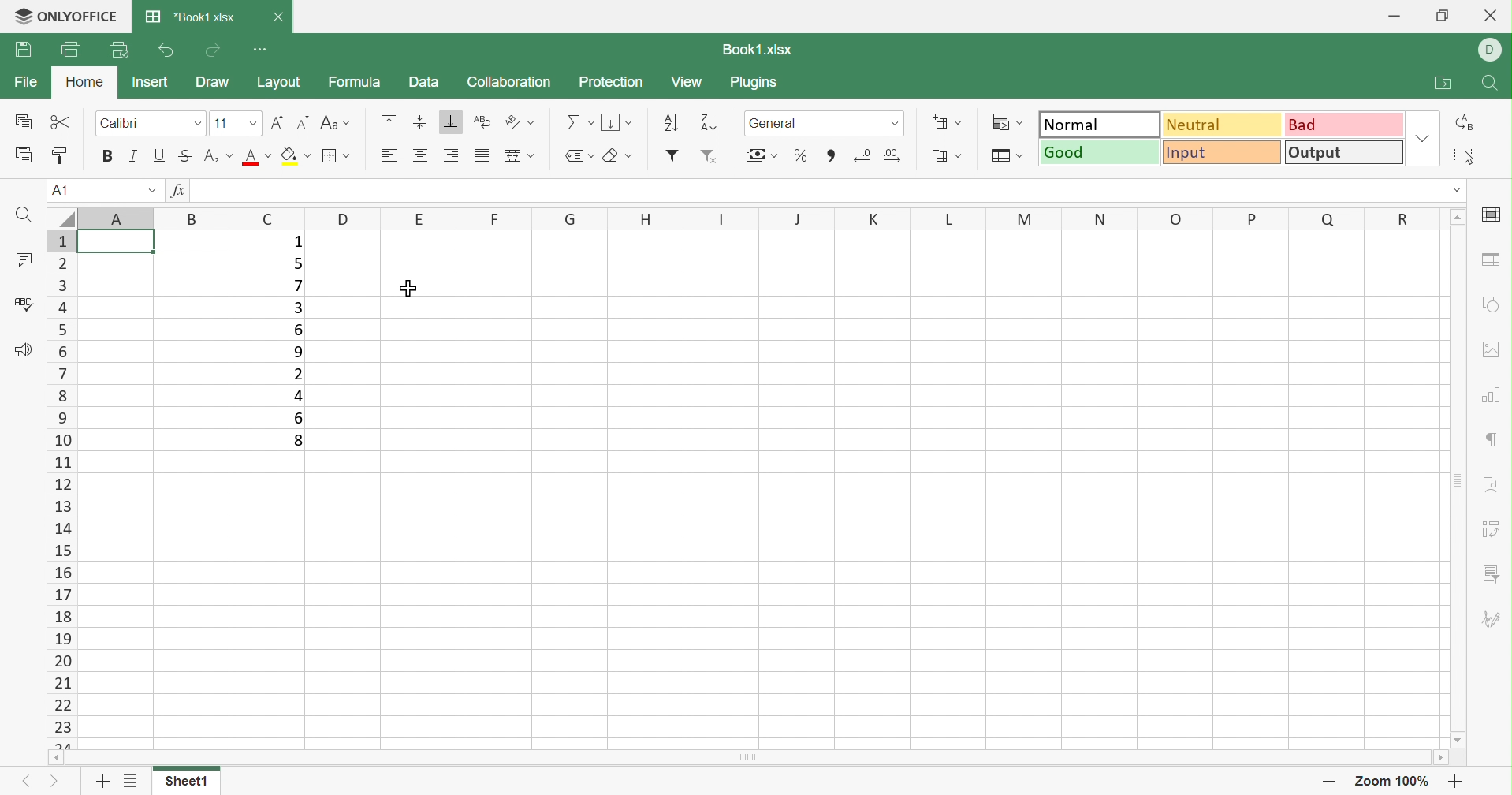  I want to click on Drop Down, so click(1423, 141).